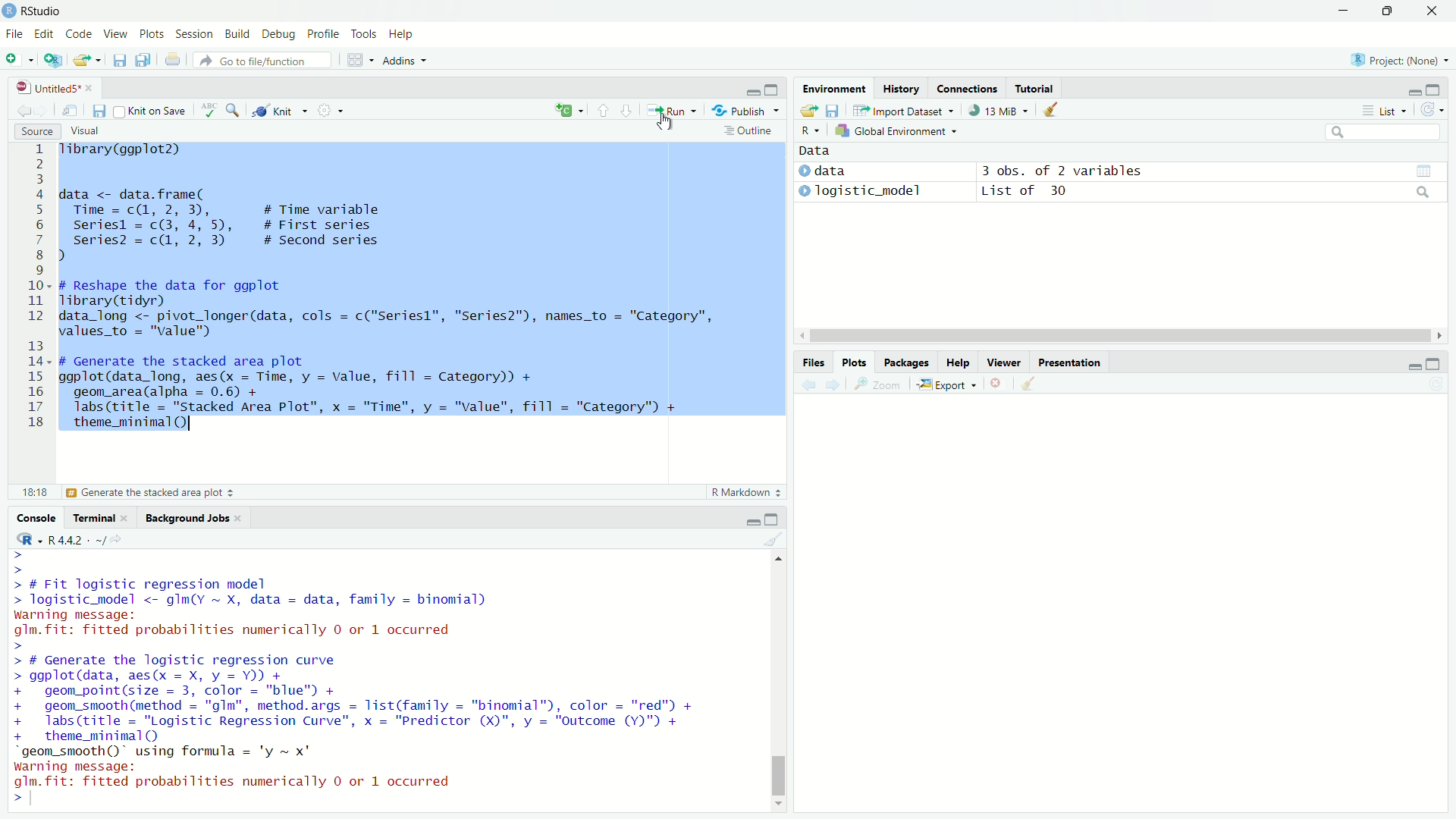  I want to click on Packages, so click(907, 363).